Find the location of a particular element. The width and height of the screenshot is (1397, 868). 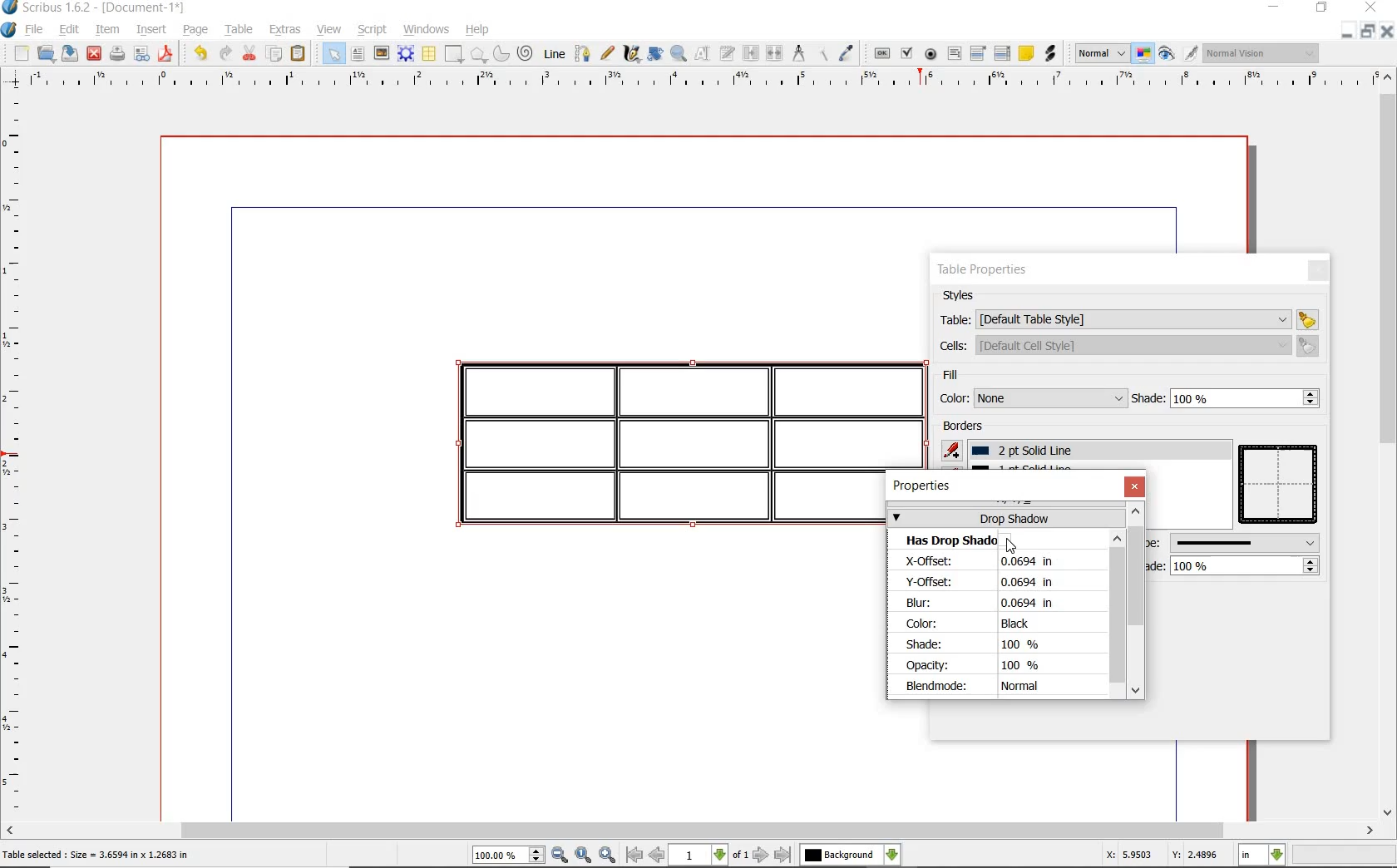

select current page is located at coordinates (709, 855).